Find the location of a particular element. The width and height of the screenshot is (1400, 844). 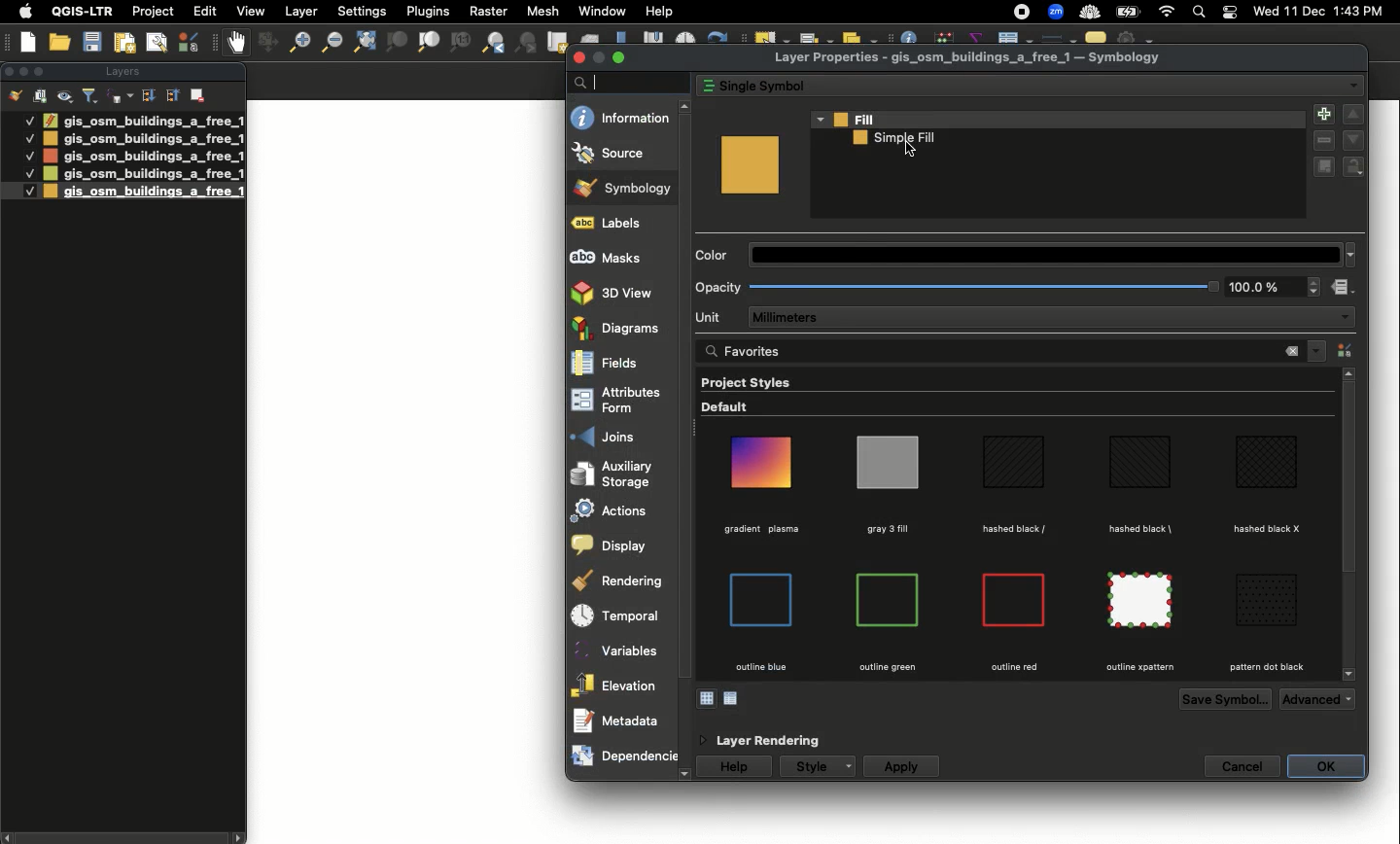

 is located at coordinates (760, 599).